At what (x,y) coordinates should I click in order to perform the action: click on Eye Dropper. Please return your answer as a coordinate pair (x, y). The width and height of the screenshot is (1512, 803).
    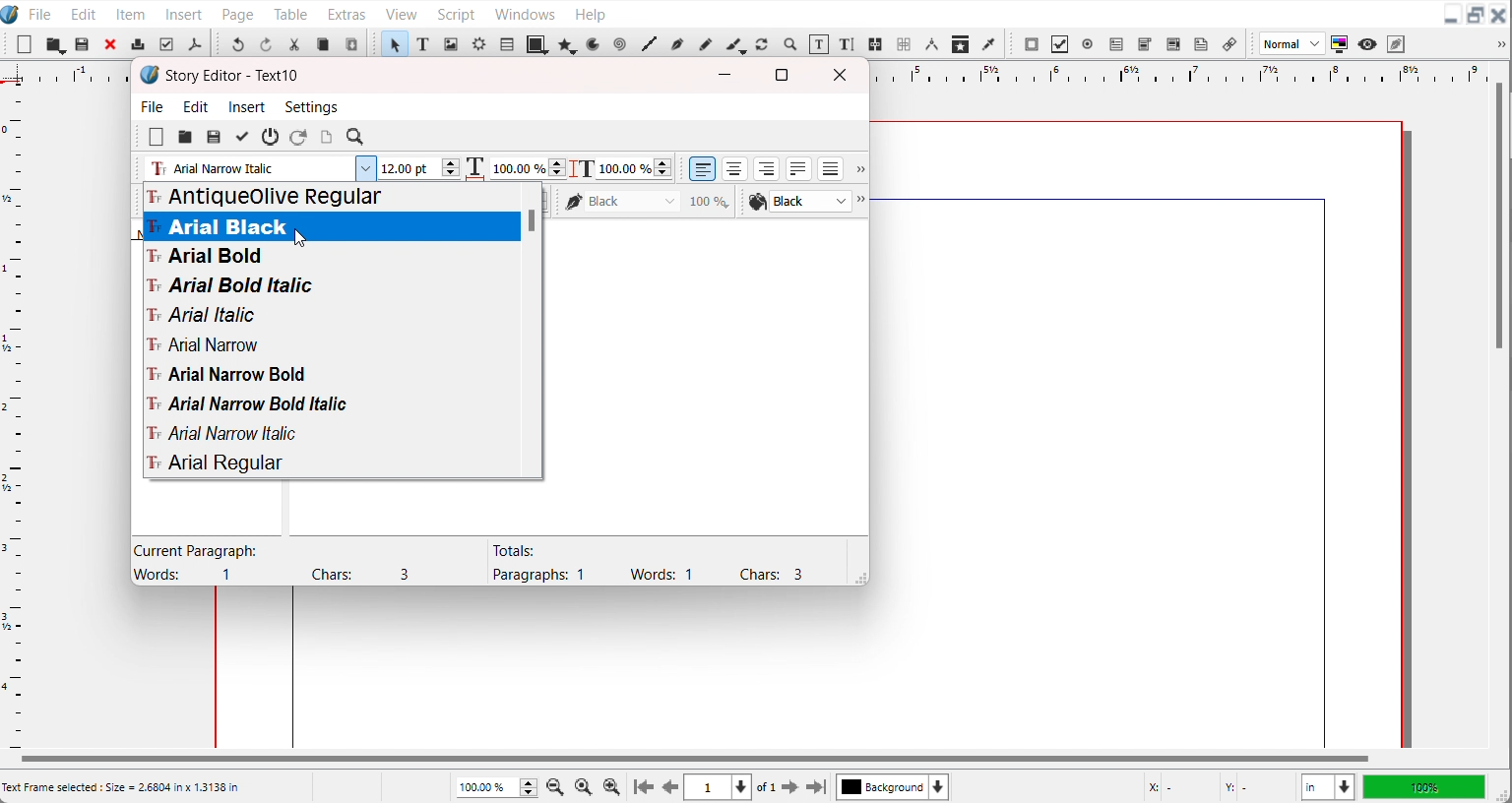
    Looking at the image, I should click on (990, 43).